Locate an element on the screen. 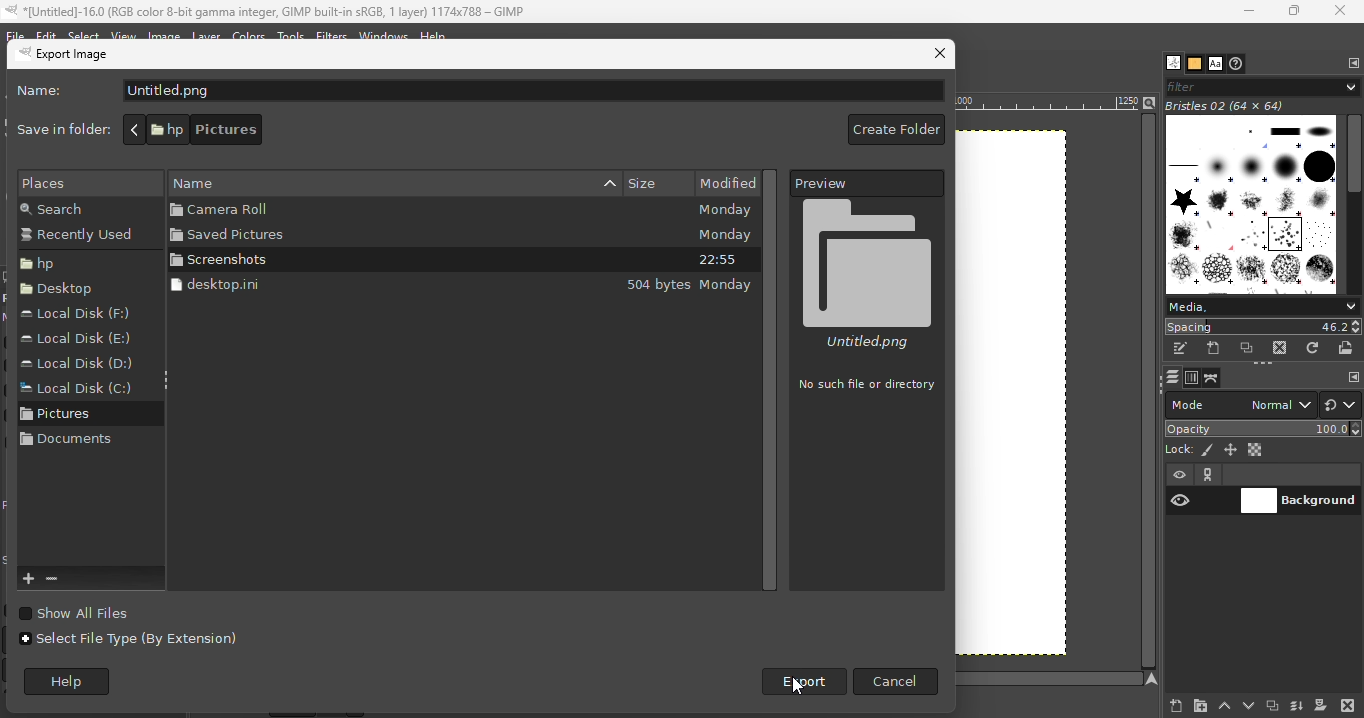 This screenshot has width=1364, height=718. Colors is located at coordinates (249, 35).